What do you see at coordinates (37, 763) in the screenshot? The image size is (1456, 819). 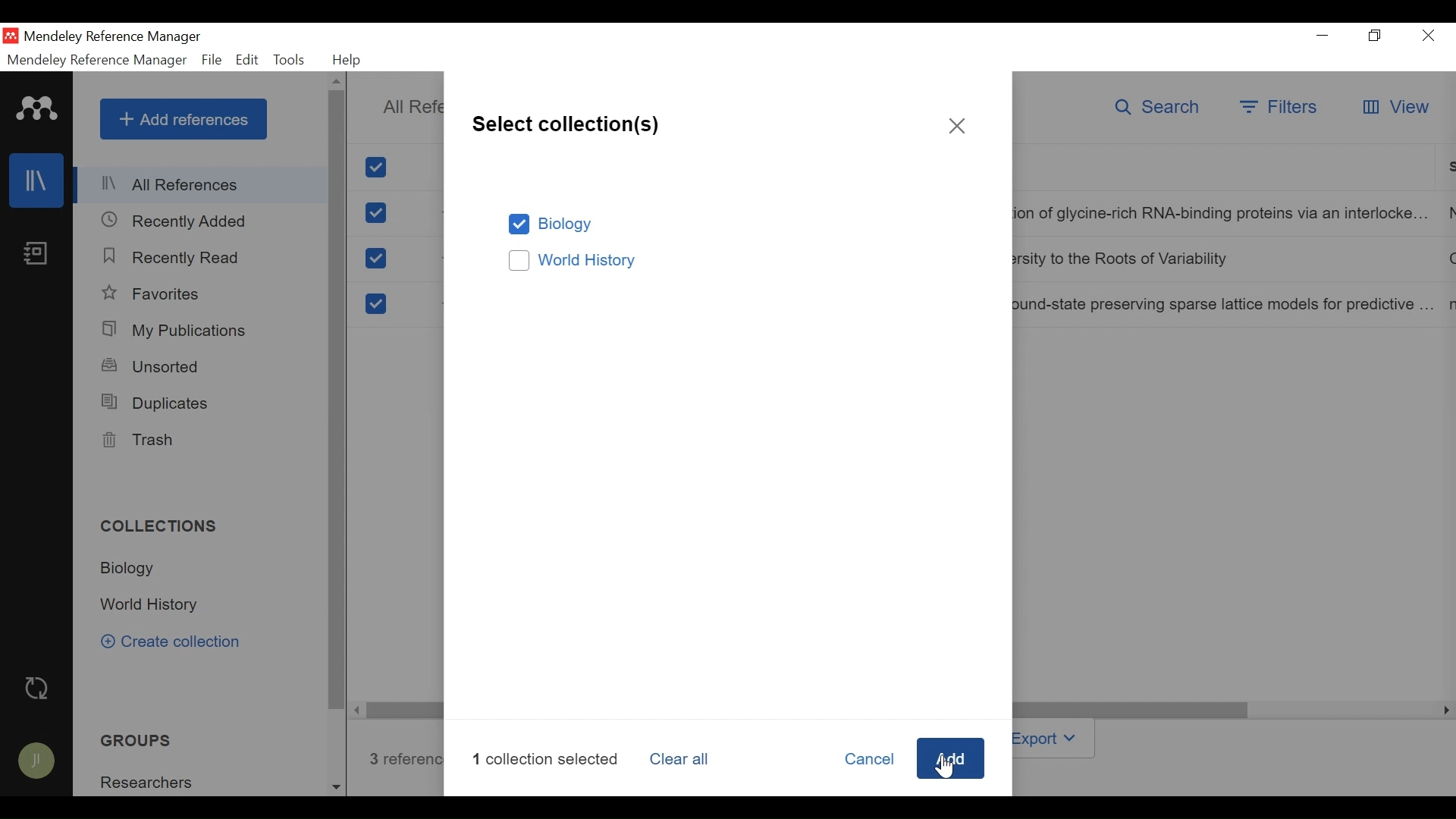 I see `Avatar` at bounding box center [37, 763].